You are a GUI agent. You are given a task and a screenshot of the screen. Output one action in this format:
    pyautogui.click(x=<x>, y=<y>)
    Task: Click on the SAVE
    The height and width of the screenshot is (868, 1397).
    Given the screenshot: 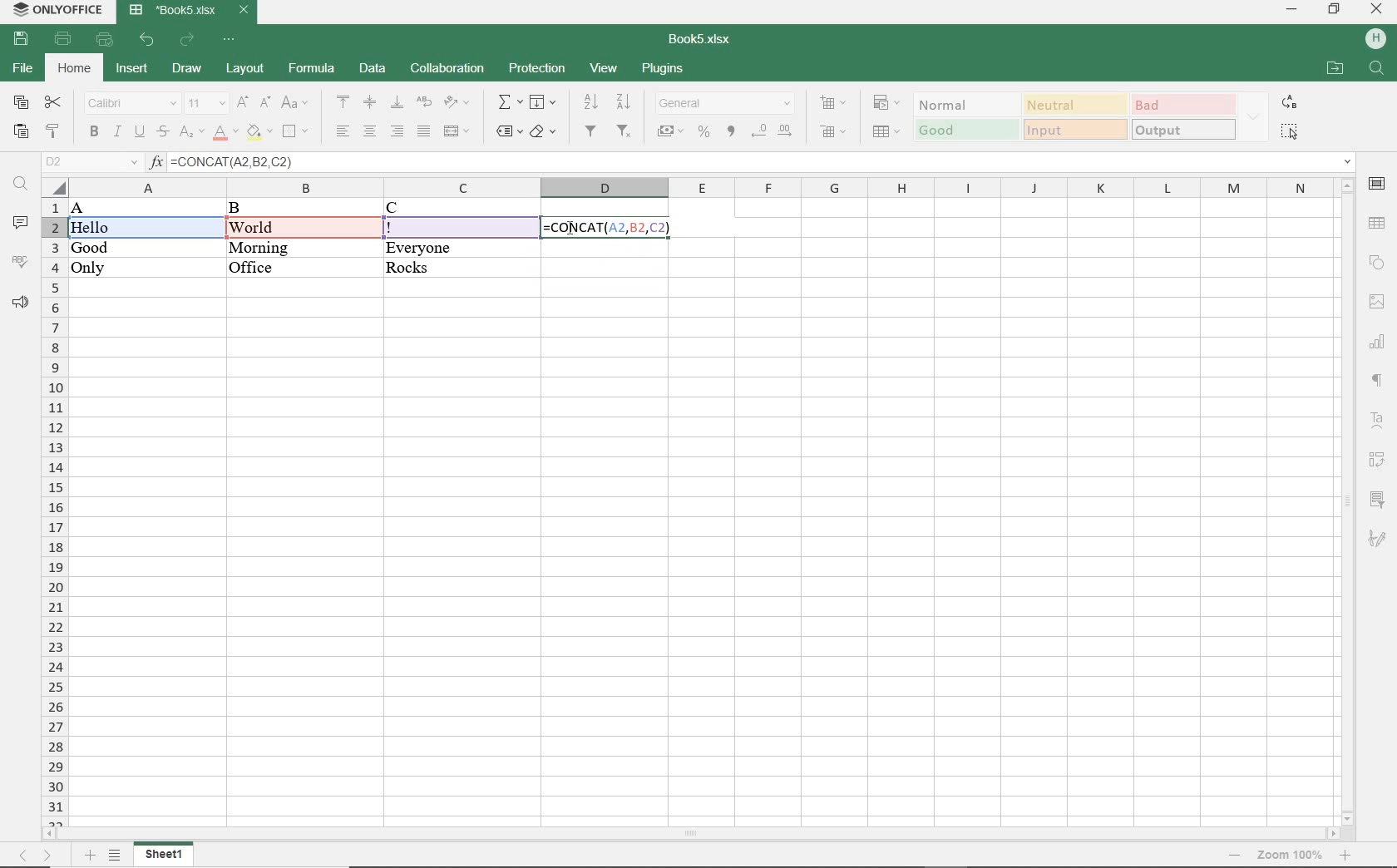 What is the action you would take?
    pyautogui.click(x=23, y=39)
    